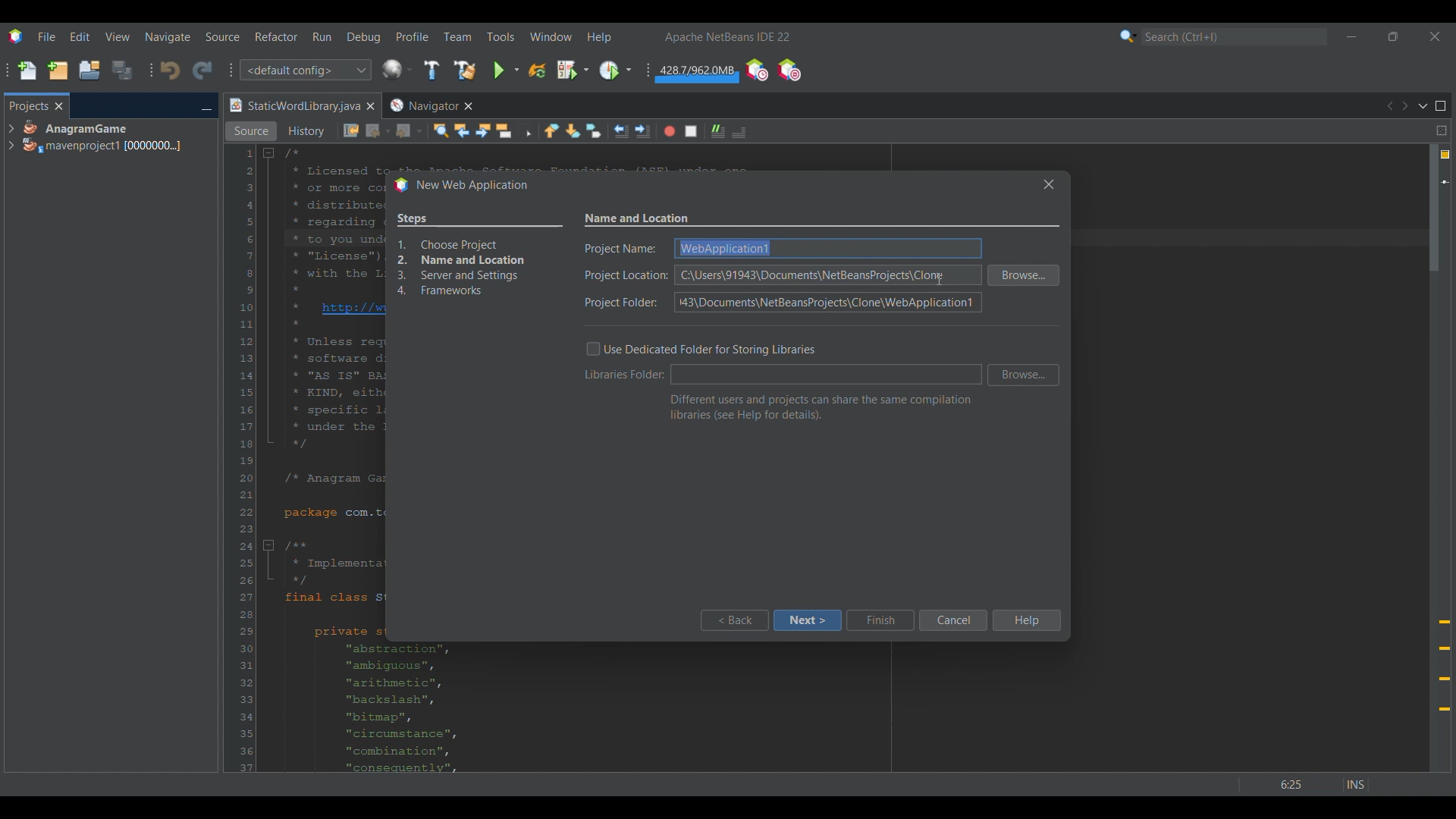 The image size is (1456, 819). What do you see at coordinates (500, 36) in the screenshot?
I see `Tools menu` at bounding box center [500, 36].